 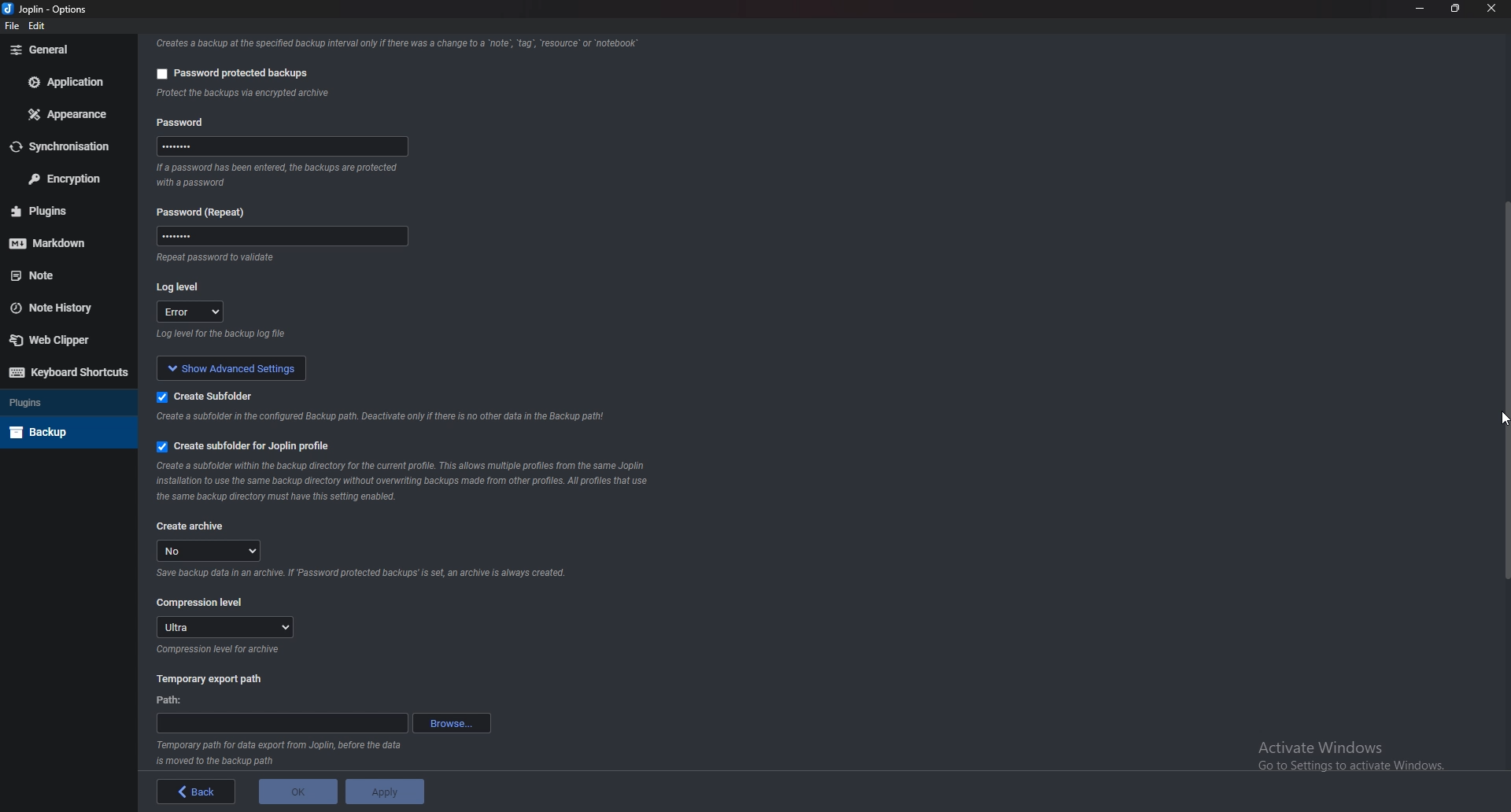 I want to click on Create sub folder for Joplin profile, so click(x=242, y=447).